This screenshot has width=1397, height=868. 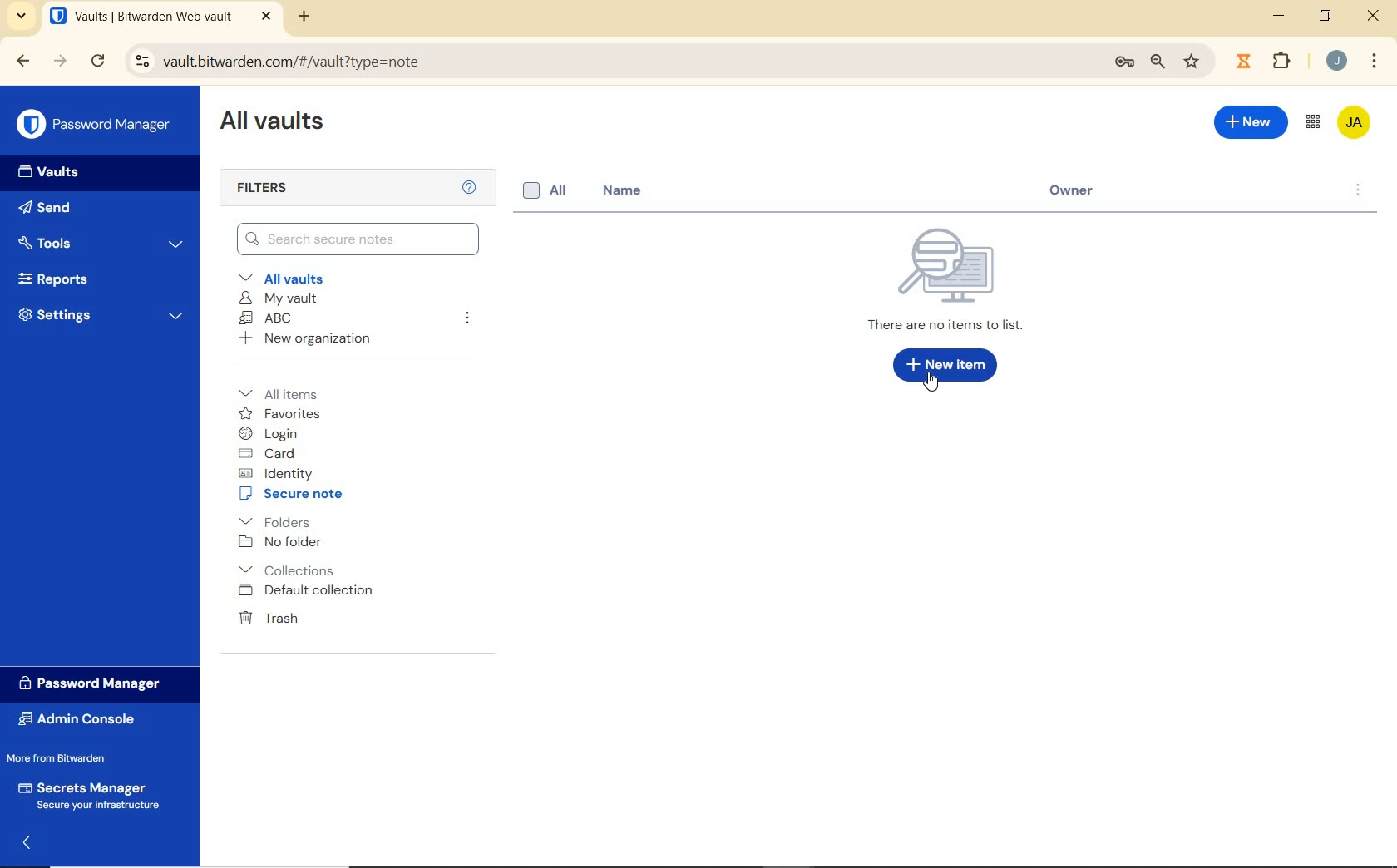 What do you see at coordinates (23, 18) in the screenshot?
I see `search tabs` at bounding box center [23, 18].